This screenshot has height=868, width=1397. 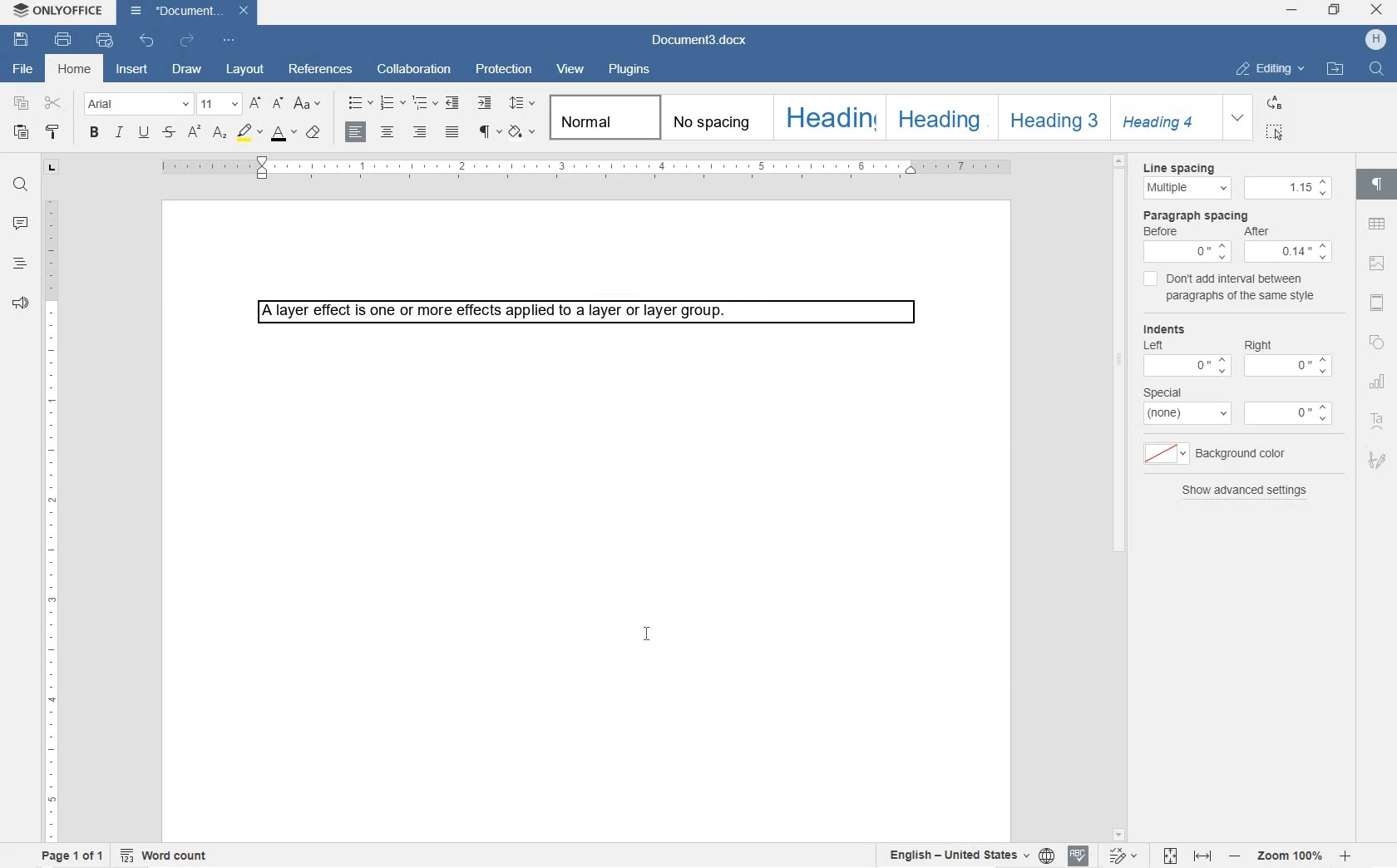 I want to click on HIGHLIGHT COLOR, so click(x=250, y=133).